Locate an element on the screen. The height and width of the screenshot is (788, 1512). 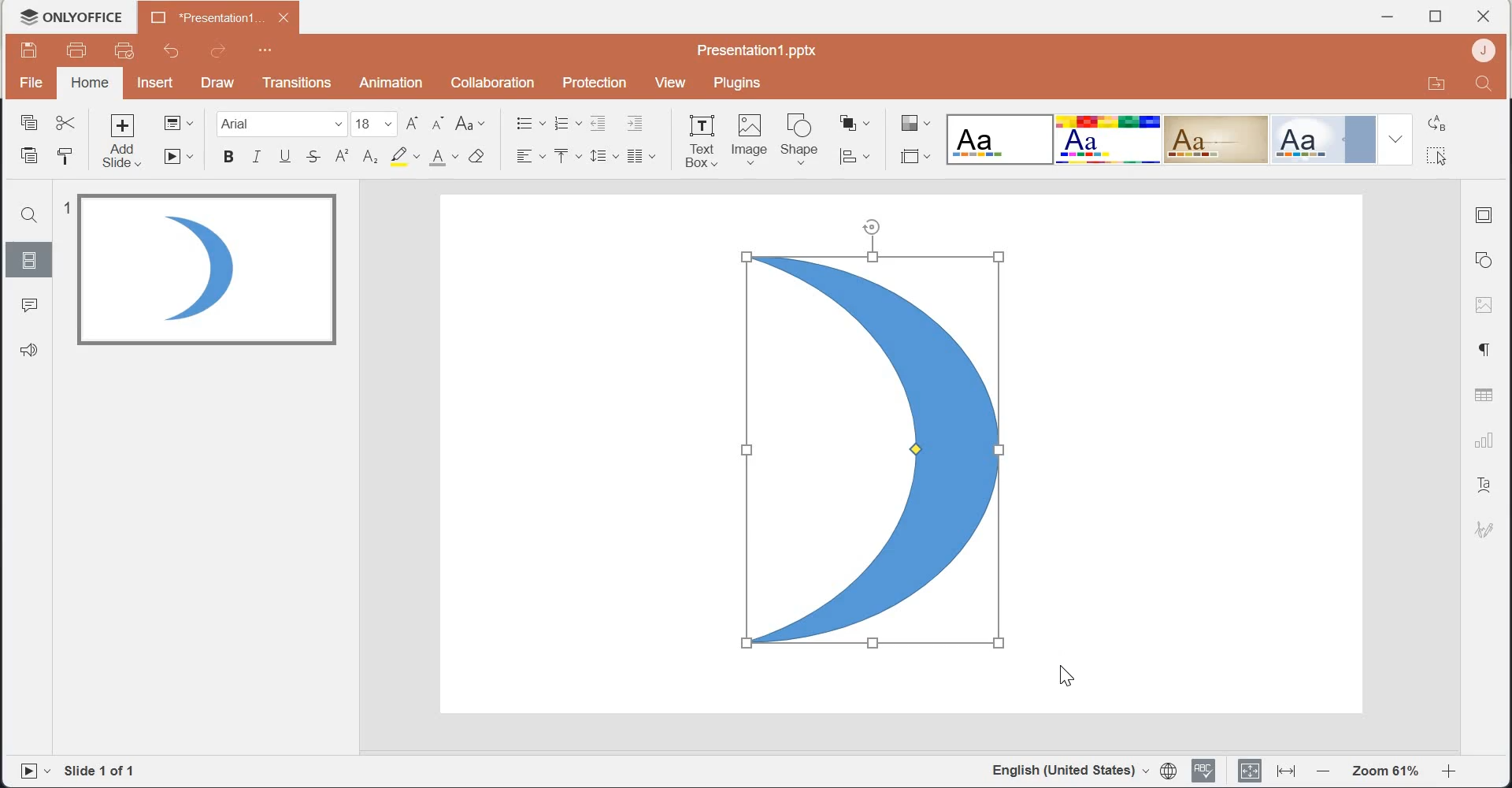
Decrement font size is located at coordinates (439, 124).